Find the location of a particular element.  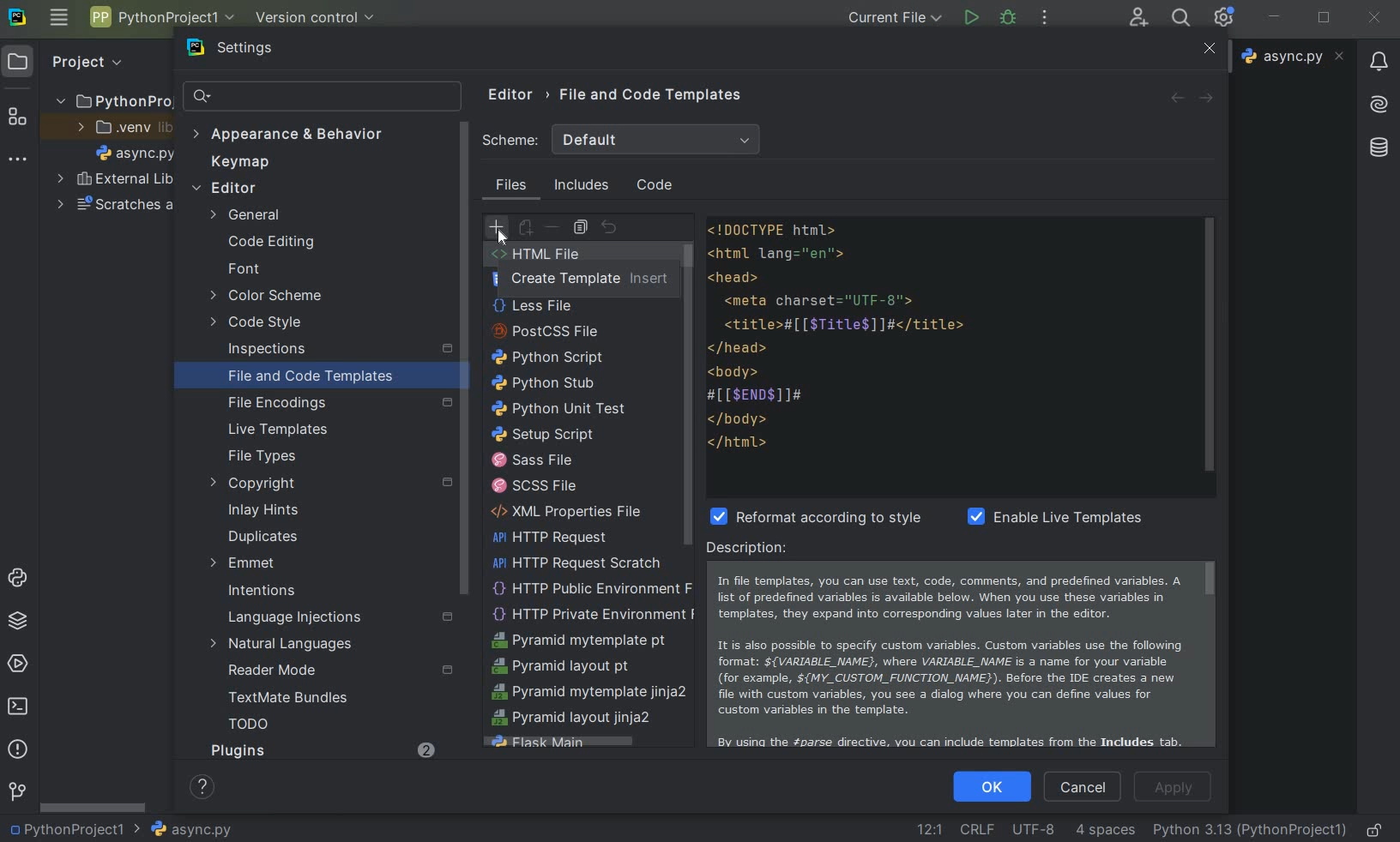

external libraries is located at coordinates (111, 180).